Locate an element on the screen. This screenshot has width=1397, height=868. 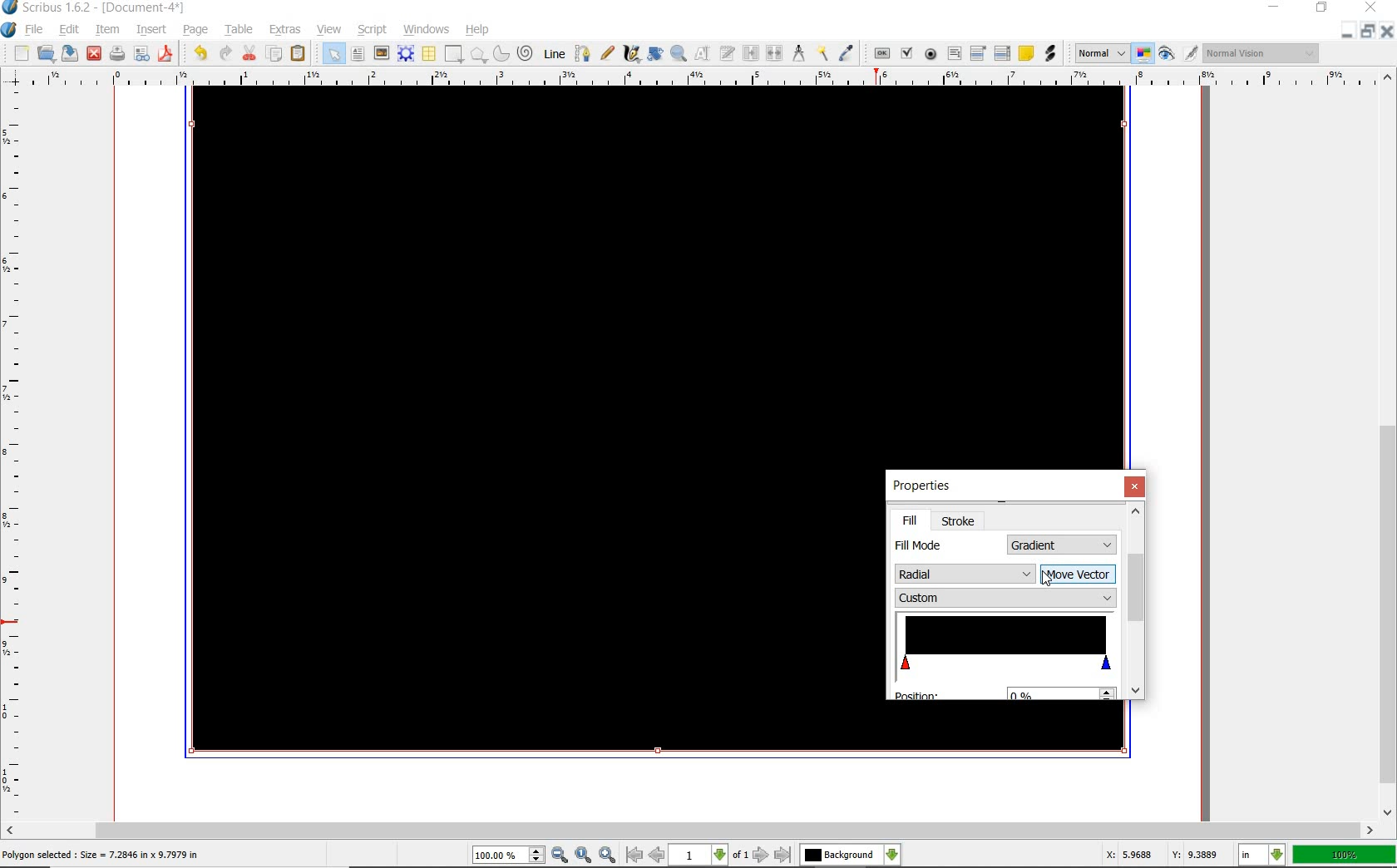
table is located at coordinates (239, 30).